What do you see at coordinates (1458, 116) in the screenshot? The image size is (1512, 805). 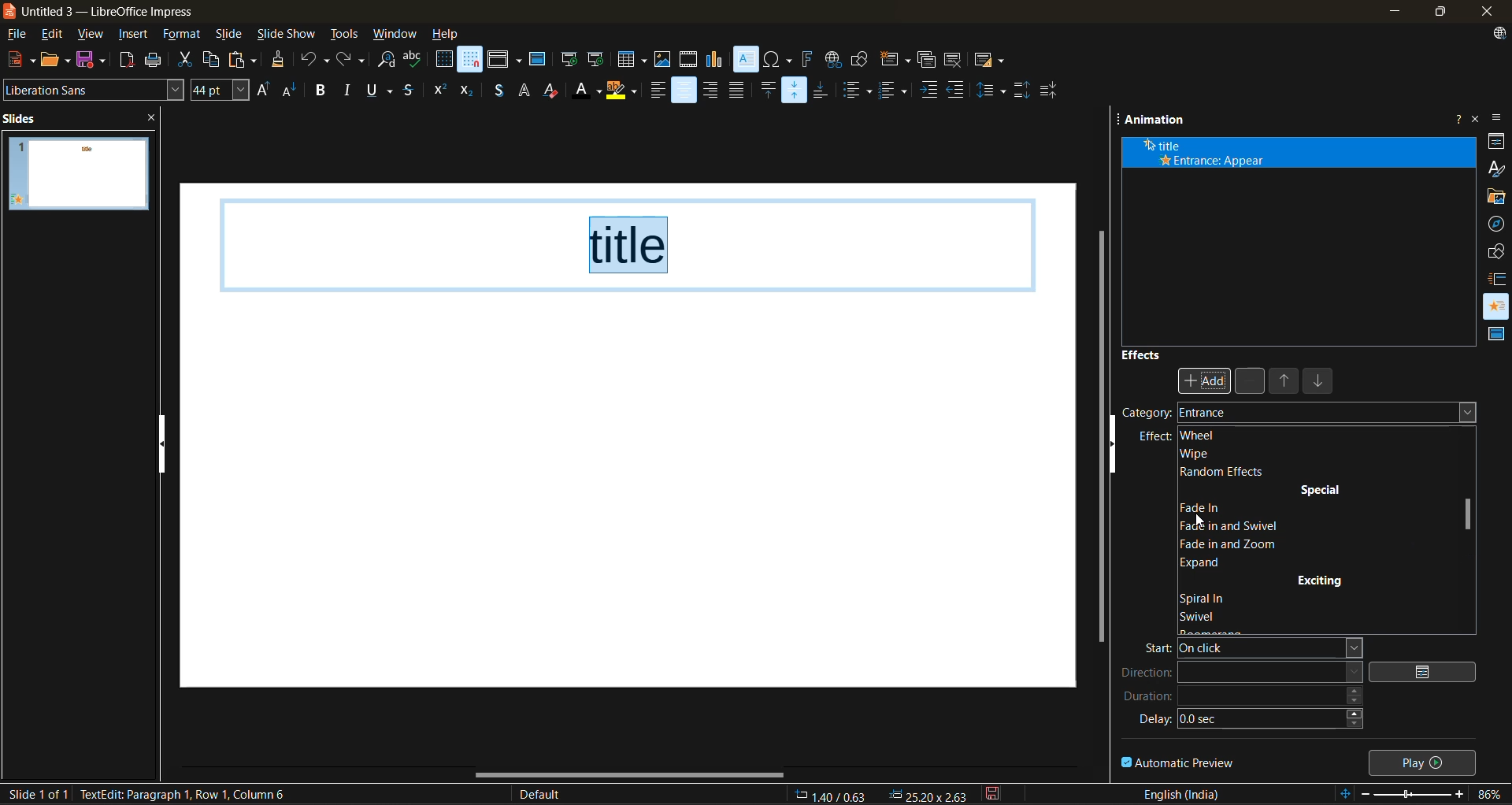 I see `help about this sidebar deck` at bounding box center [1458, 116].